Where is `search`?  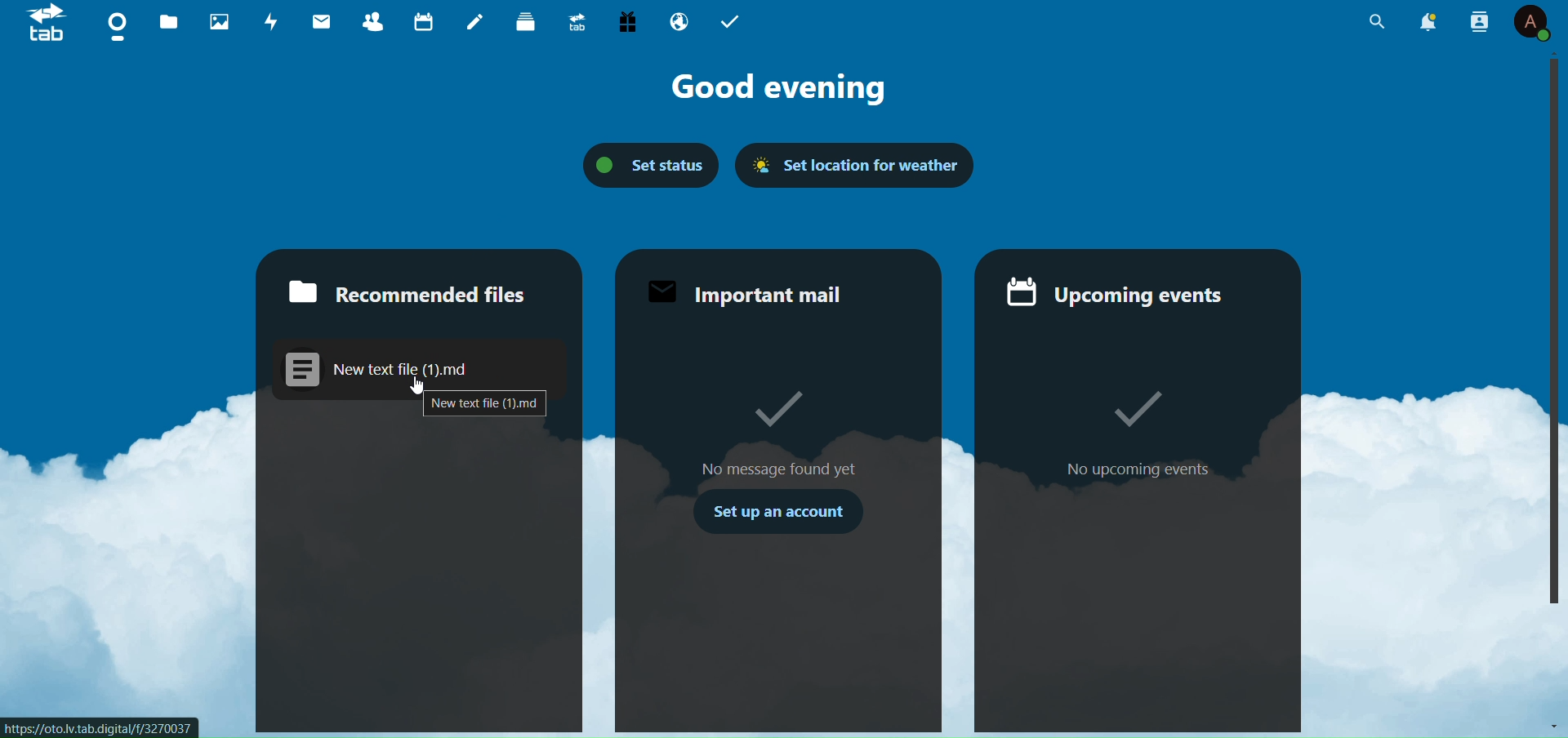
search is located at coordinates (1377, 26).